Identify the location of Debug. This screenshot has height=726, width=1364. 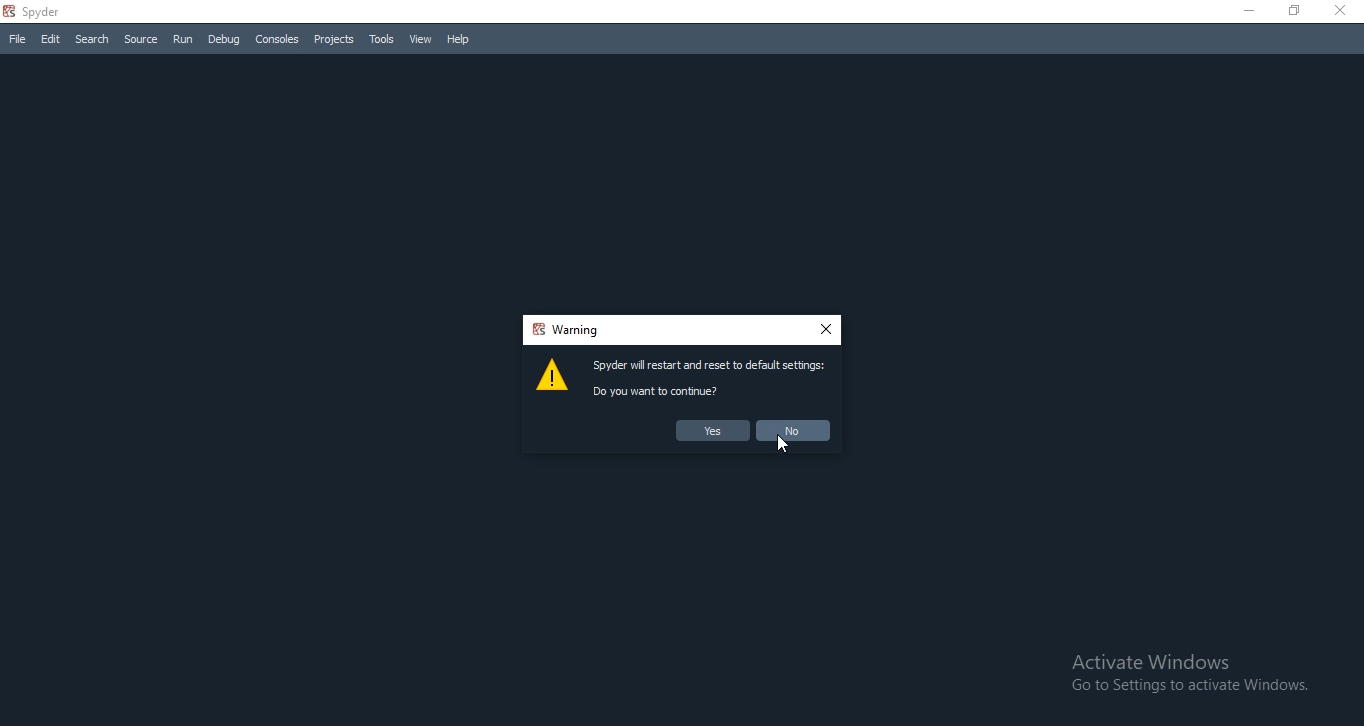
(225, 40).